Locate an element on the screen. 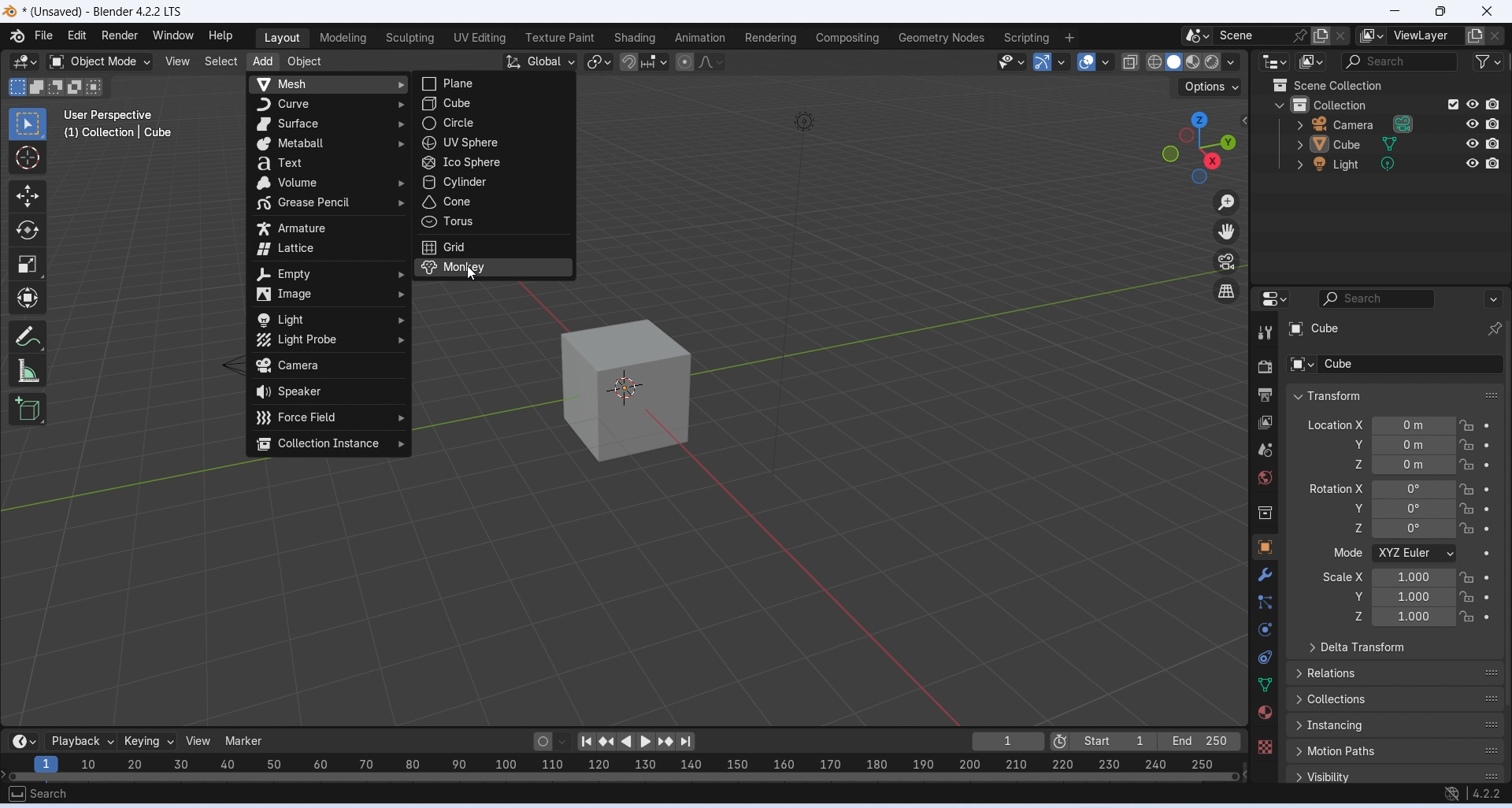  snapping is located at coordinates (654, 61).